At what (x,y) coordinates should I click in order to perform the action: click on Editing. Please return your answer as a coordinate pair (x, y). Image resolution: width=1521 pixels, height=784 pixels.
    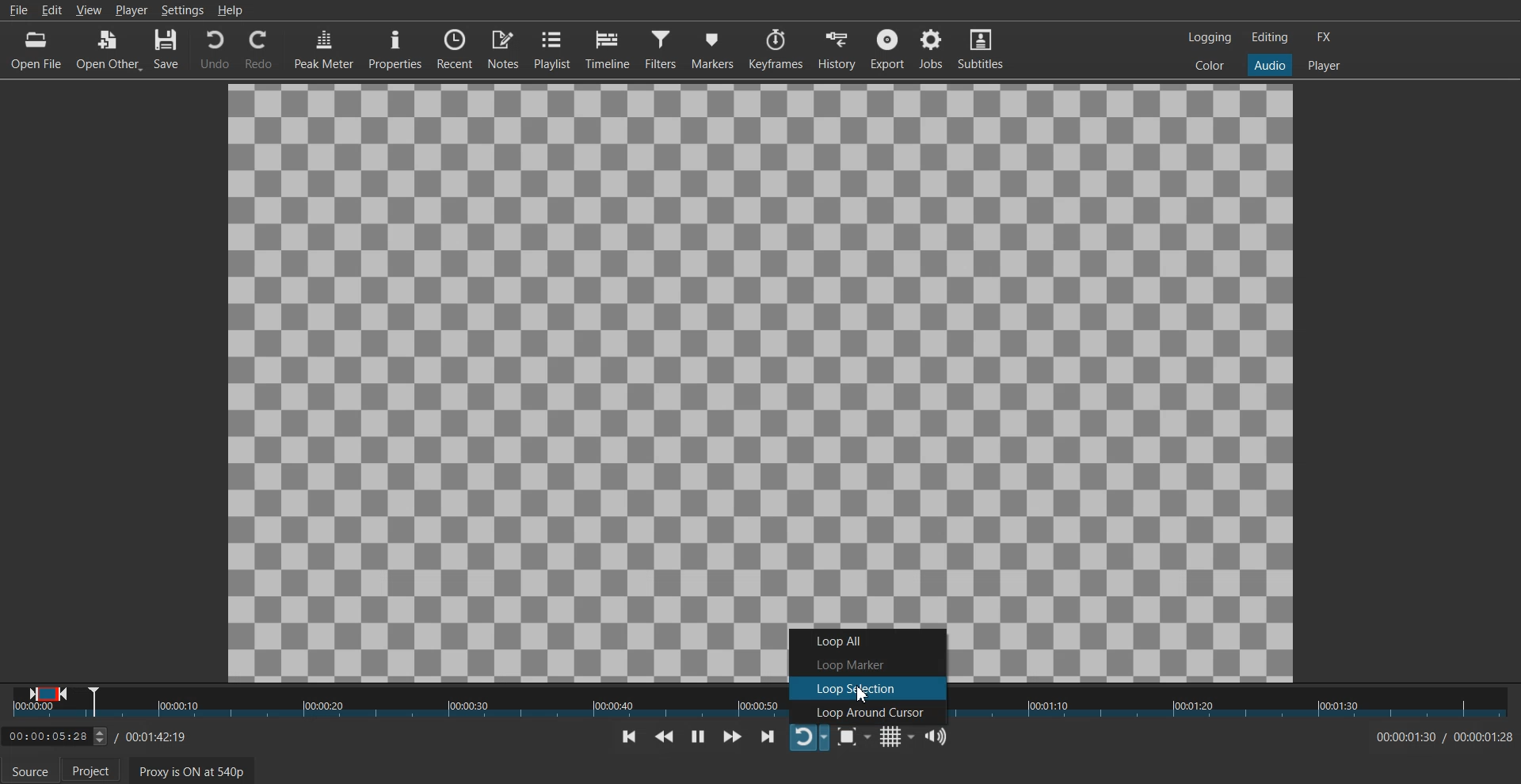
    Looking at the image, I should click on (1270, 37).